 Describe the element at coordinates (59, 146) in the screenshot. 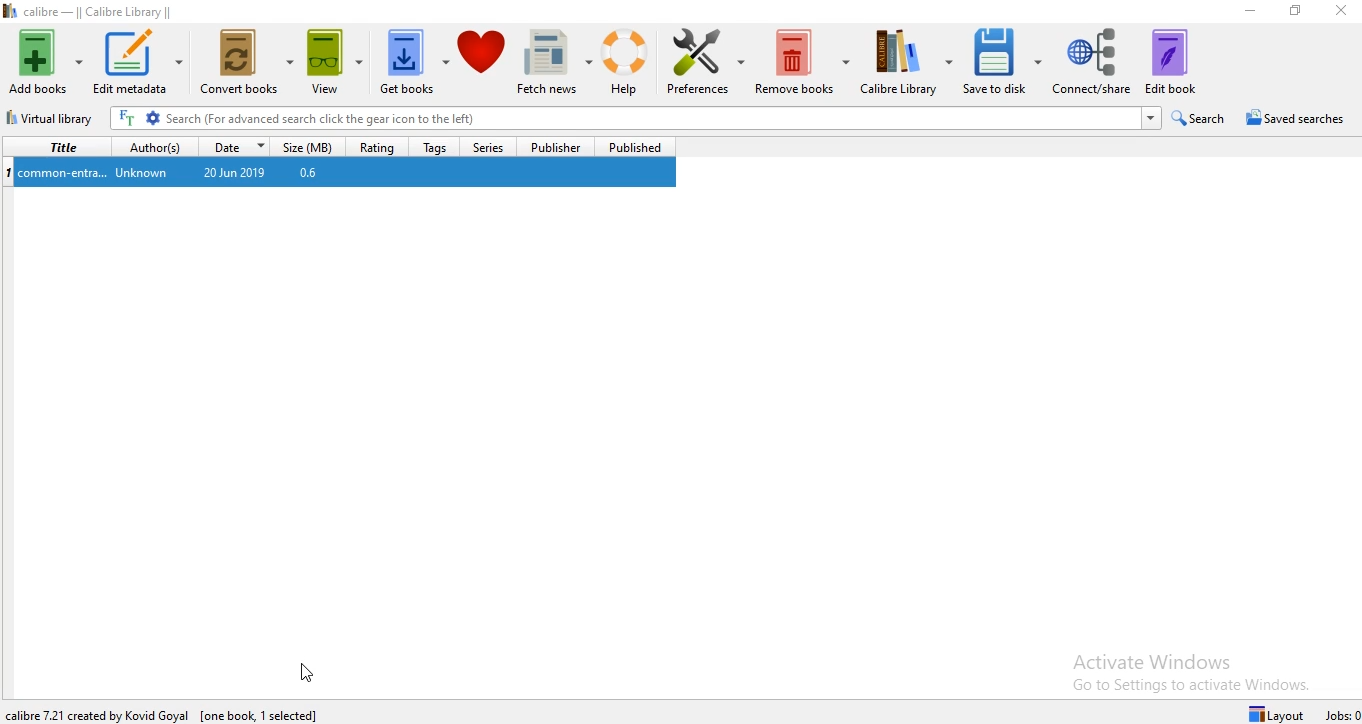

I see `Title` at that location.